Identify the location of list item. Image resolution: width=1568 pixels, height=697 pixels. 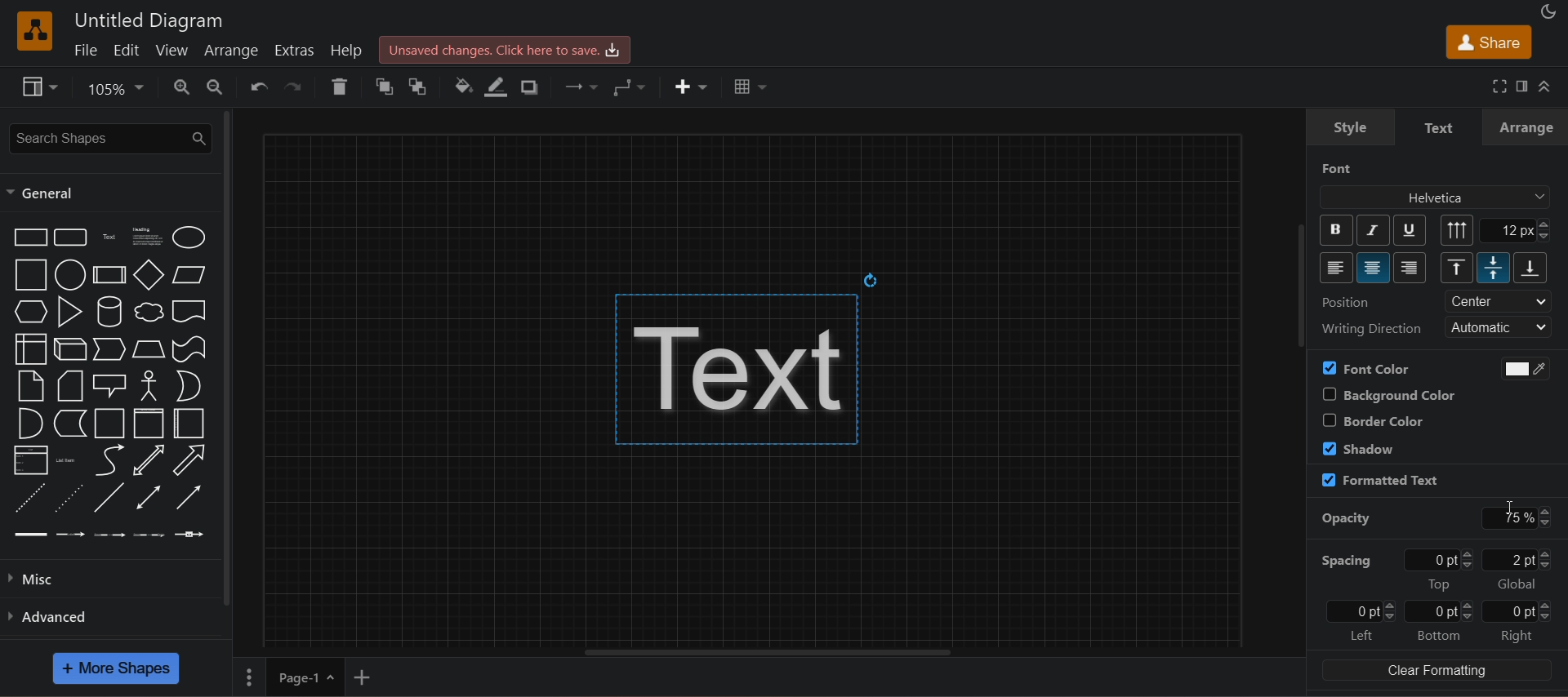
(67, 460).